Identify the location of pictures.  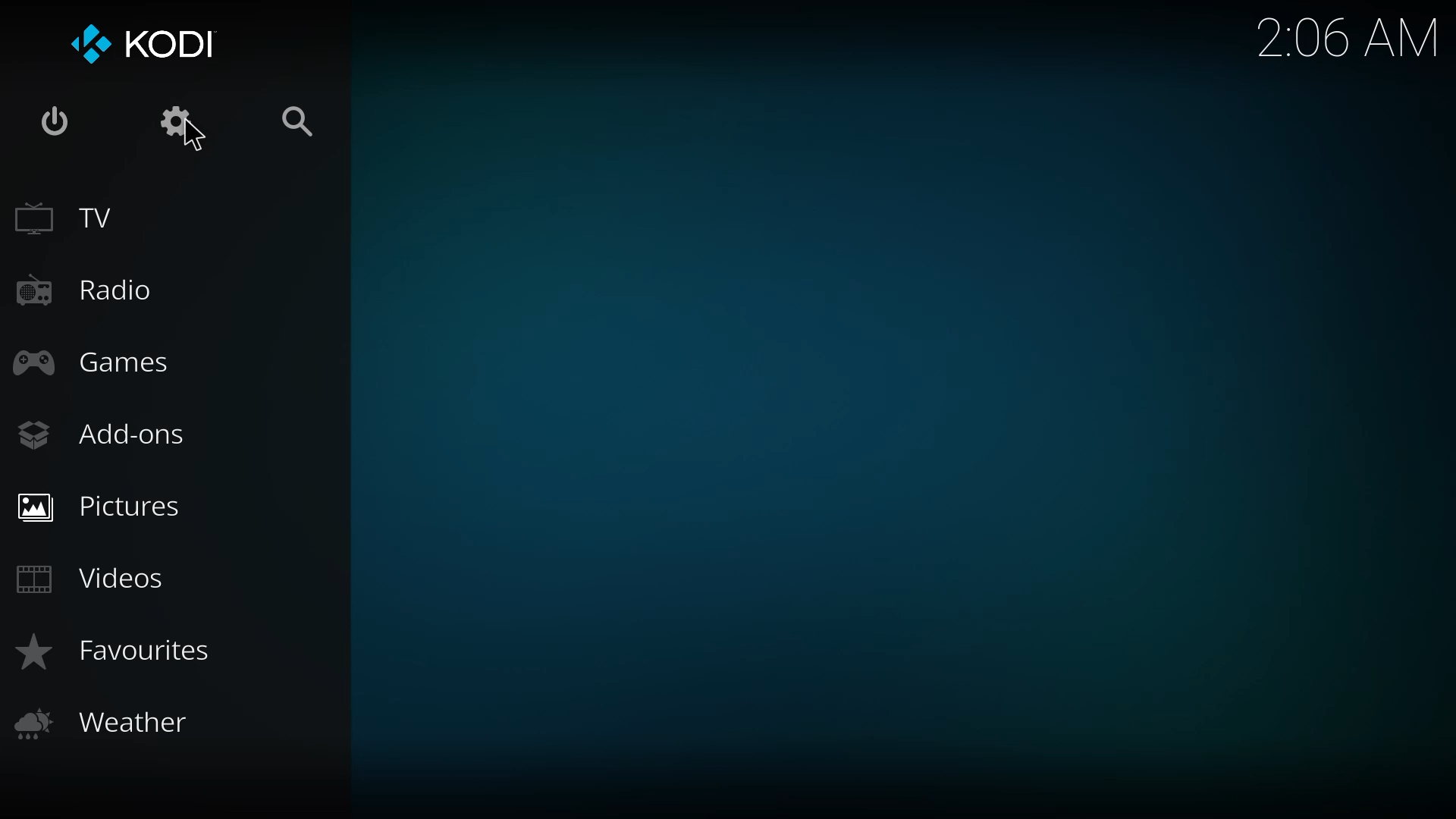
(105, 506).